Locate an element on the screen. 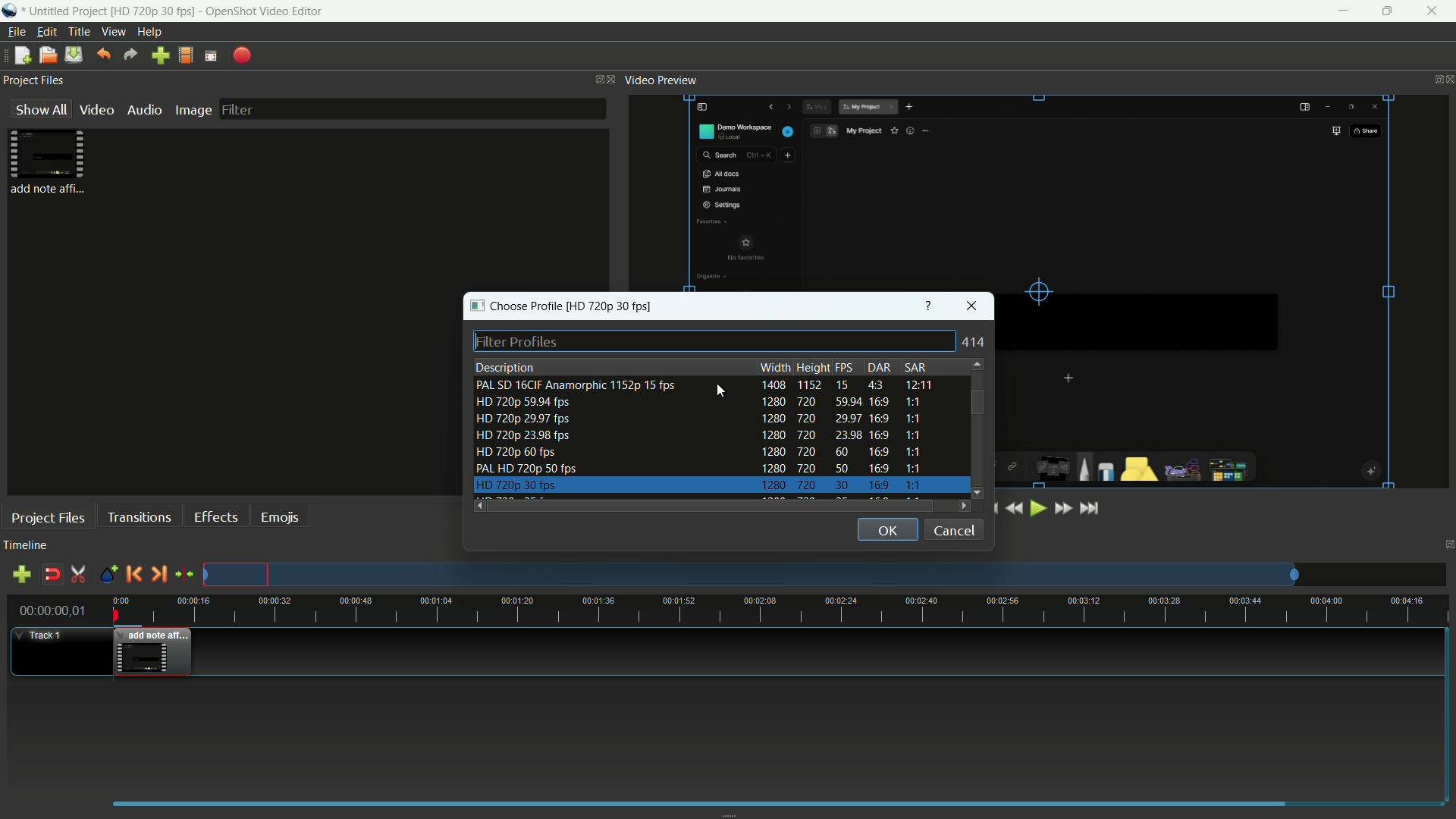  close window is located at coordinates (974, 306).